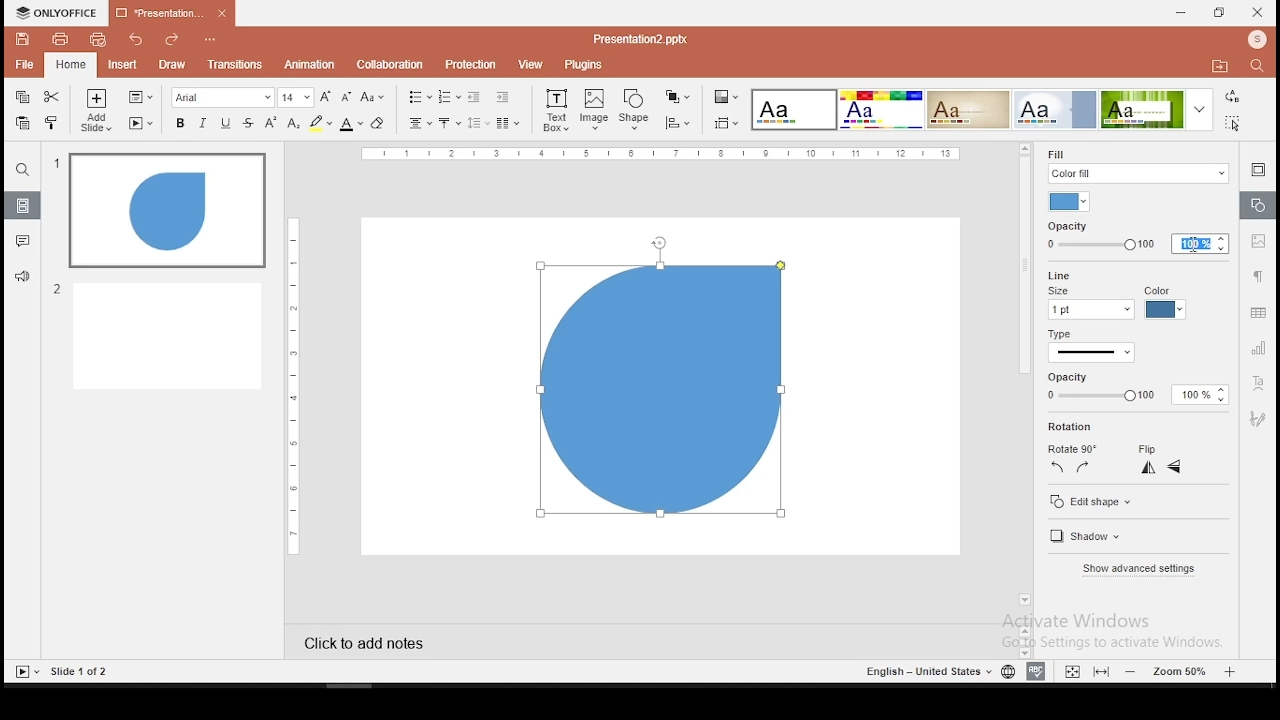  Describe the element at coordinates (725, 98) in the screenshot. I see `change color theme` at that location.